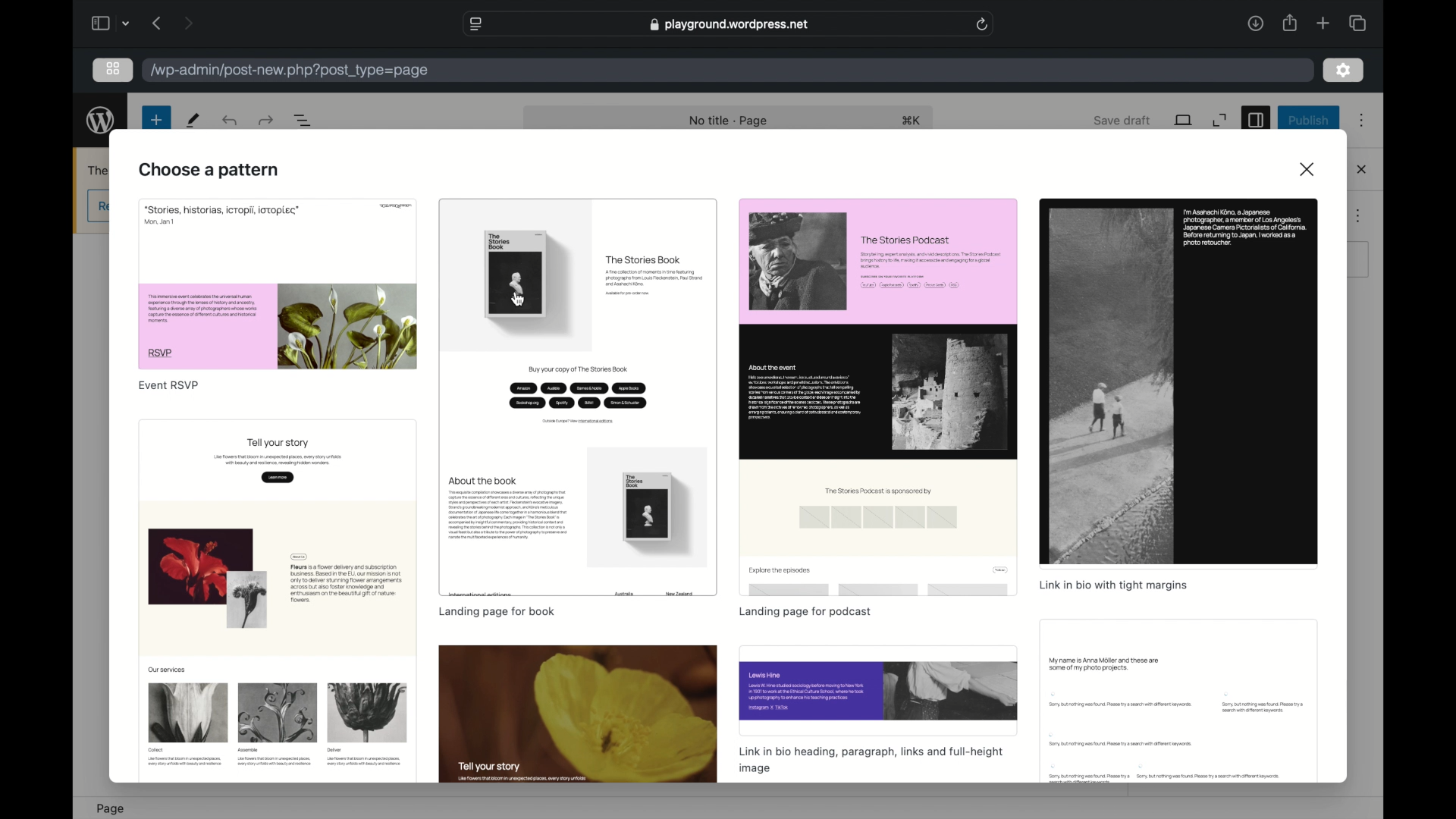 This screenshot has width=1456, height=819. What do you see at coordinates (158, 24) in the screenshot?
I see `previous page` at bounding box center [158, 24].